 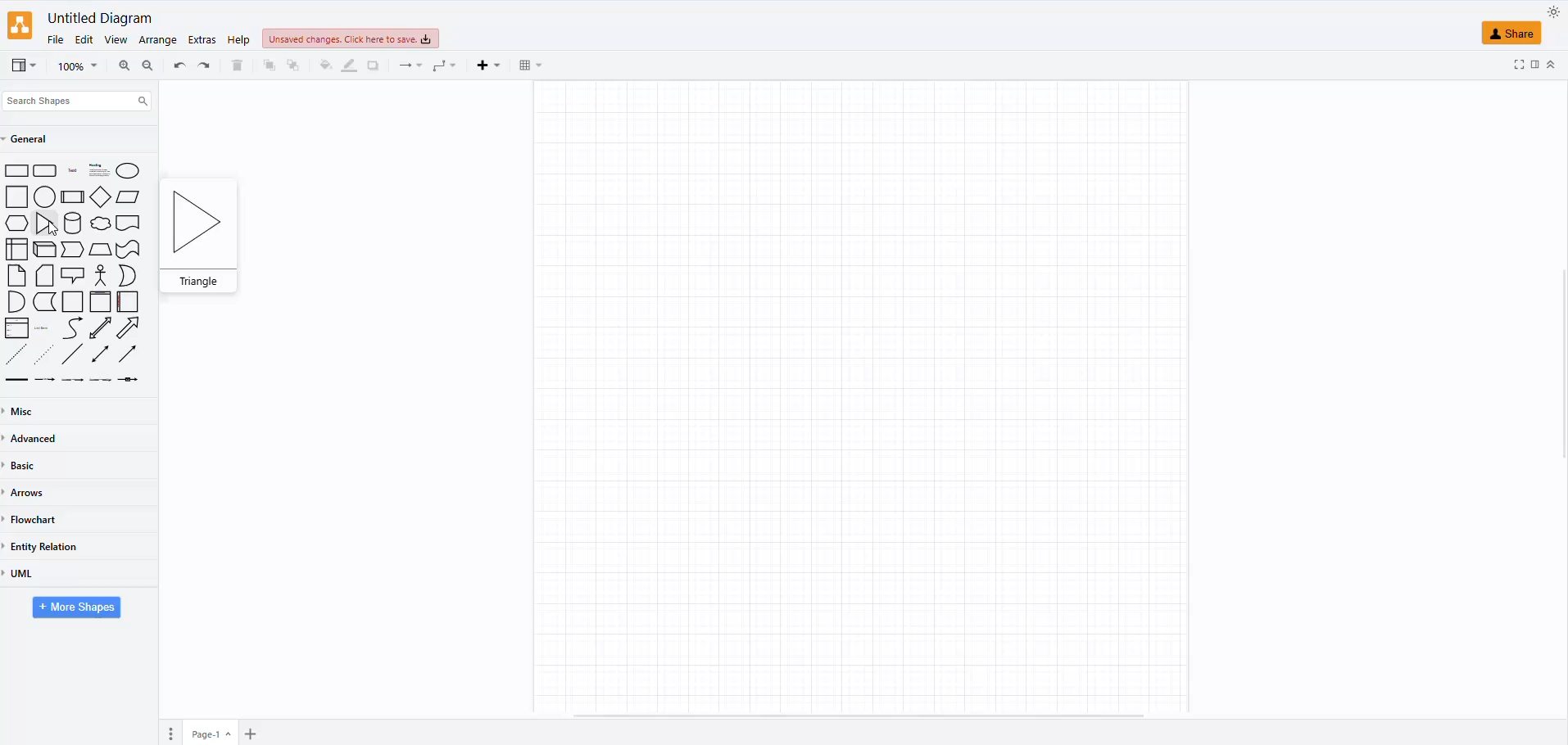 What do you see at coordinates (16, 354) in the screenshot?
I see `Close Dotted Arrow` at bounding box center [16, 354].